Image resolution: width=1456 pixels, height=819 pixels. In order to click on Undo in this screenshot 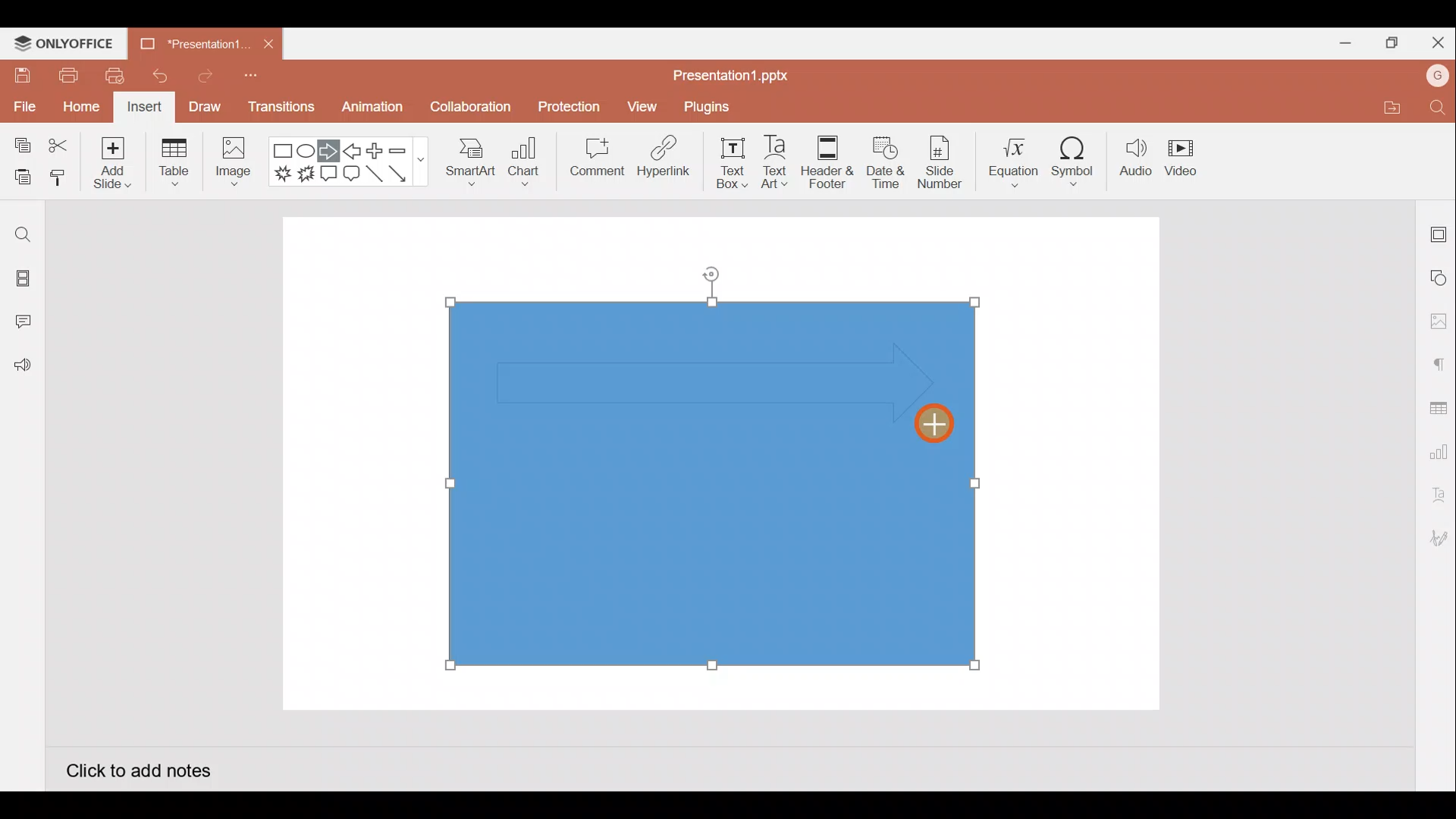, I will do `click(154, 76)`.